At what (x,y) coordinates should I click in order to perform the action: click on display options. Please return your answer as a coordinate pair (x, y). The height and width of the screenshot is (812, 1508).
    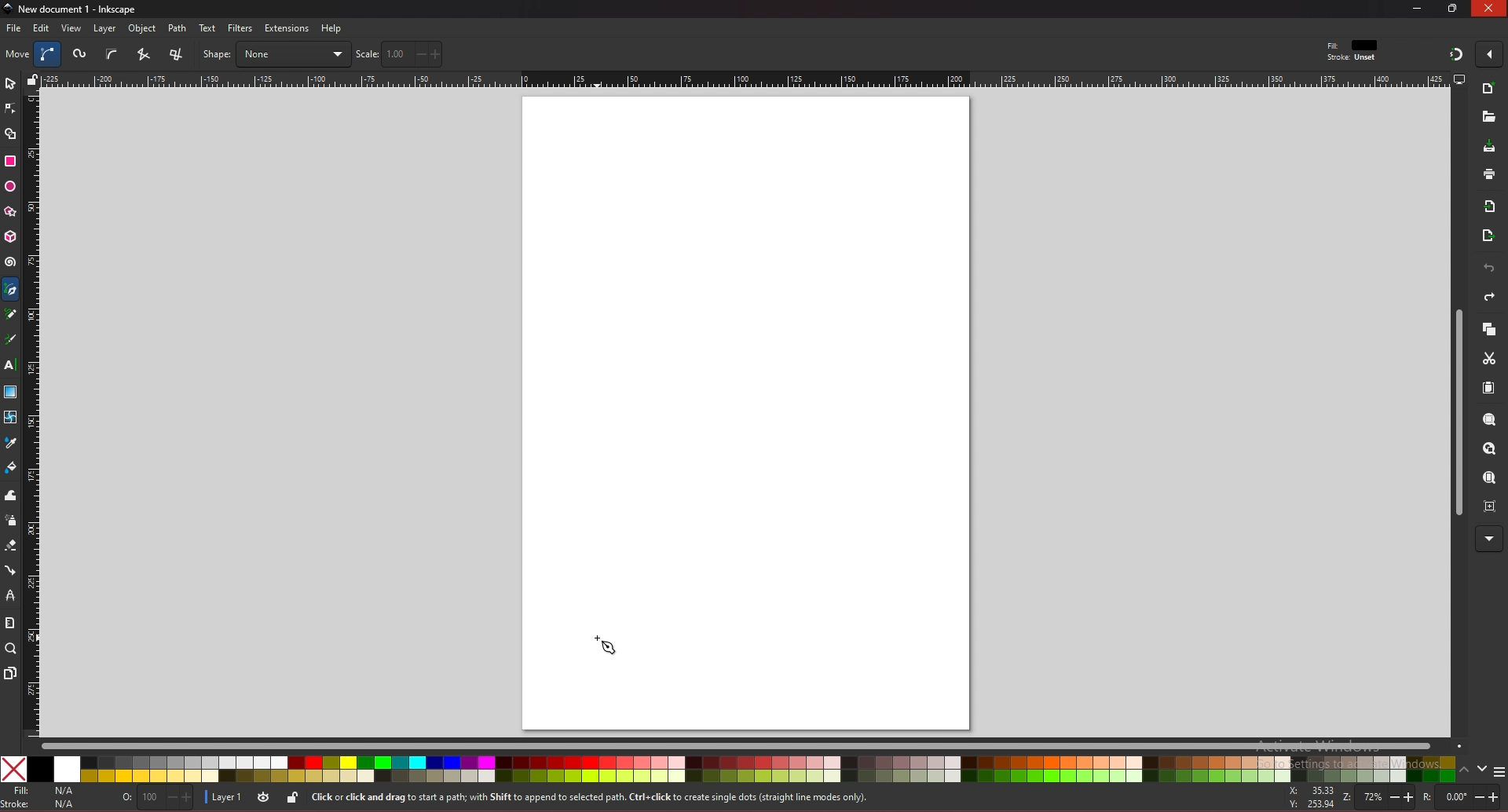
    Looking at the image, I should click on (1459, 79).